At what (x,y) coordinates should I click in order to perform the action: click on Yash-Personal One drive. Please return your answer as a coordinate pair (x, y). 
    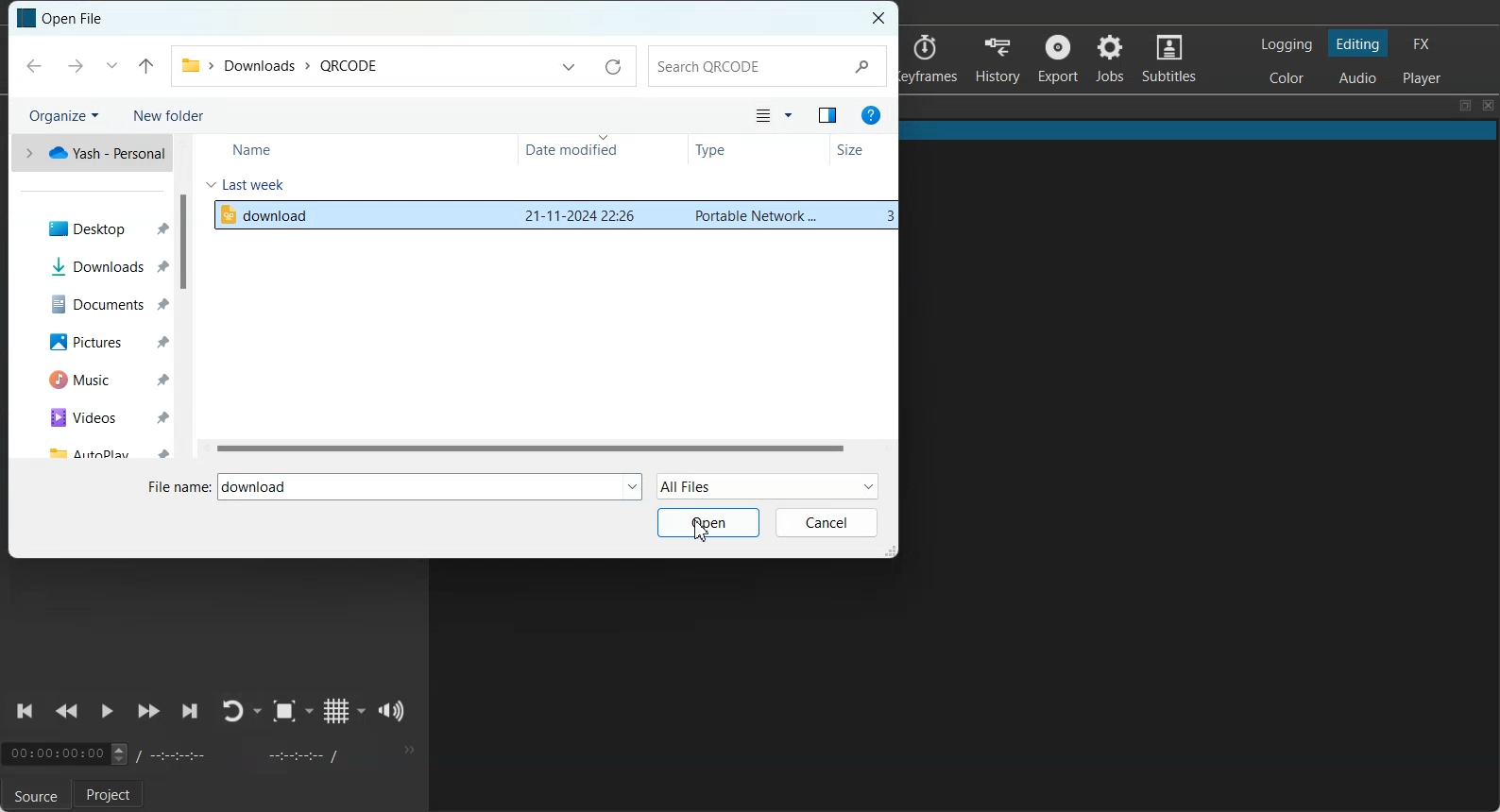
    Looking at the image, I should click on (88, 154).